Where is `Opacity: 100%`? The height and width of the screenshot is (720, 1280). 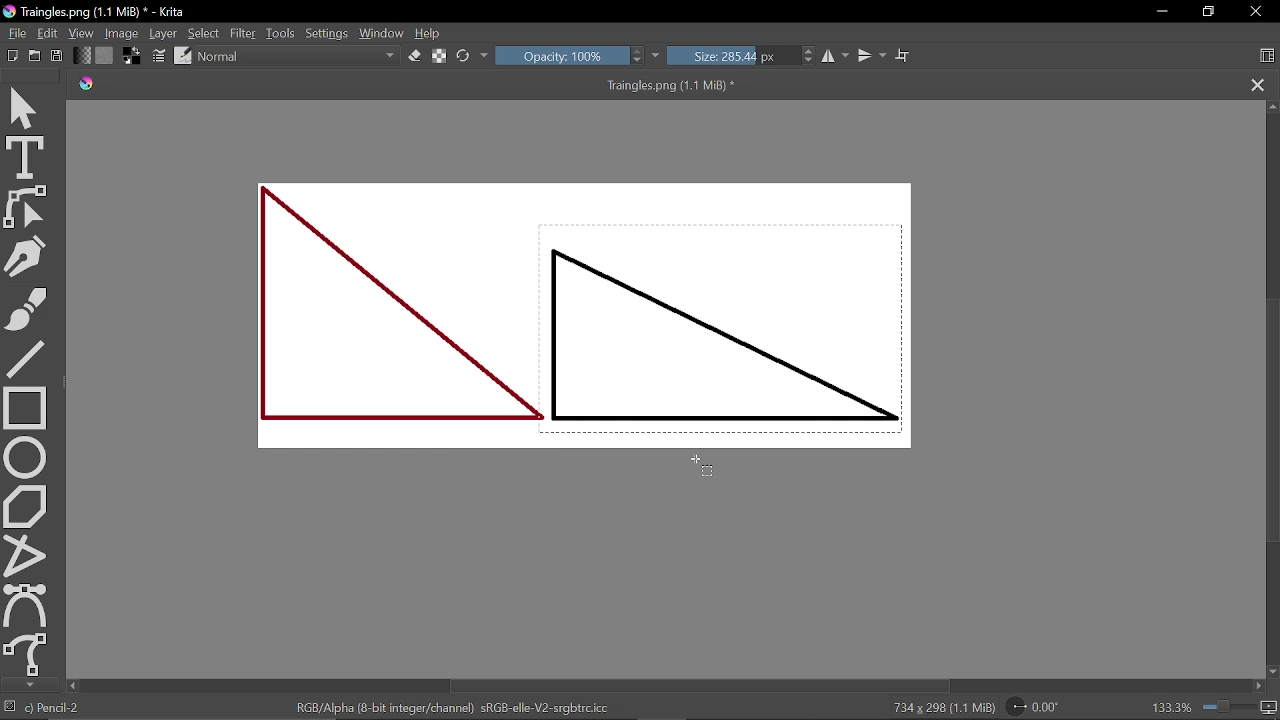 Opacity: 100% is located at coordinates (579, 56).